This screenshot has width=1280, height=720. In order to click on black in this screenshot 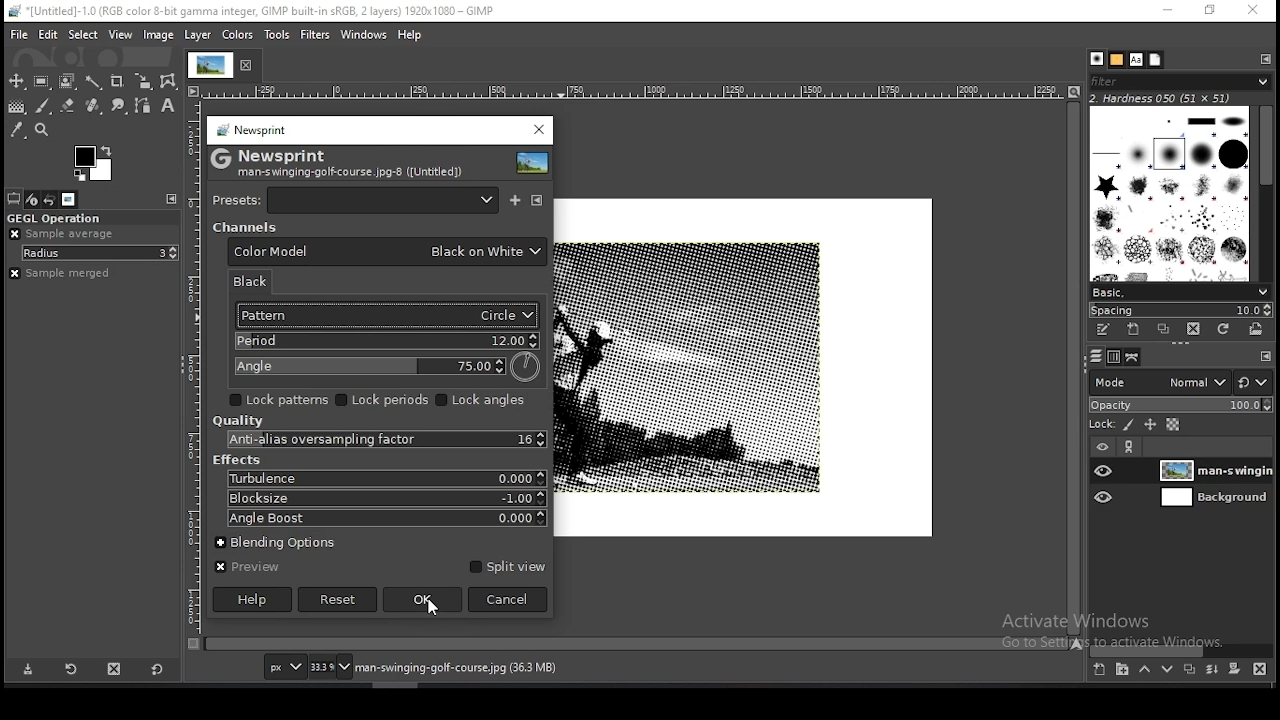, I will do `click(258, 281)`.